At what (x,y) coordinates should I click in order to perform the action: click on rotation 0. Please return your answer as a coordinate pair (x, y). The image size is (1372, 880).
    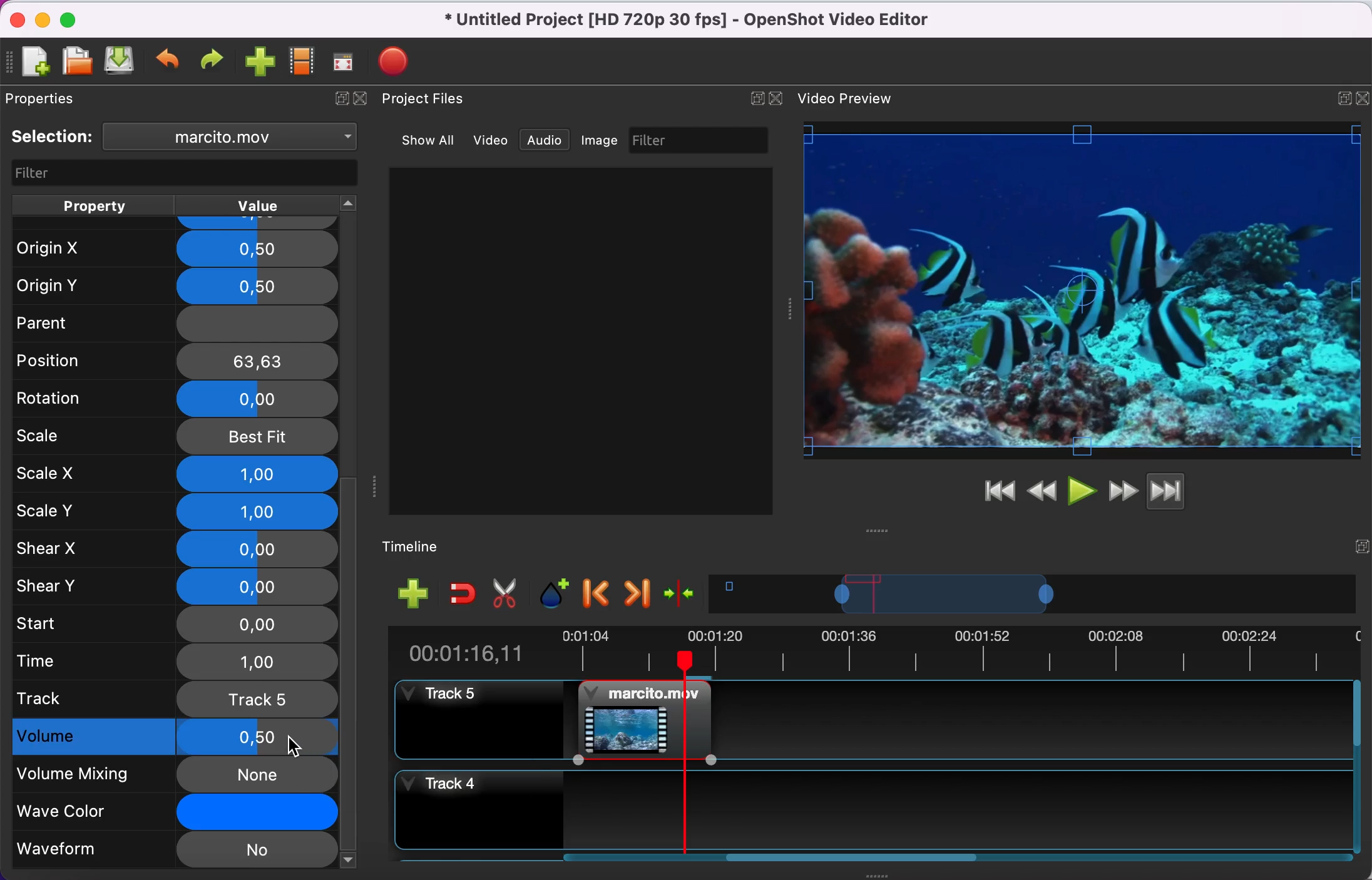
    Looking at the image, I should click on (170, 398).